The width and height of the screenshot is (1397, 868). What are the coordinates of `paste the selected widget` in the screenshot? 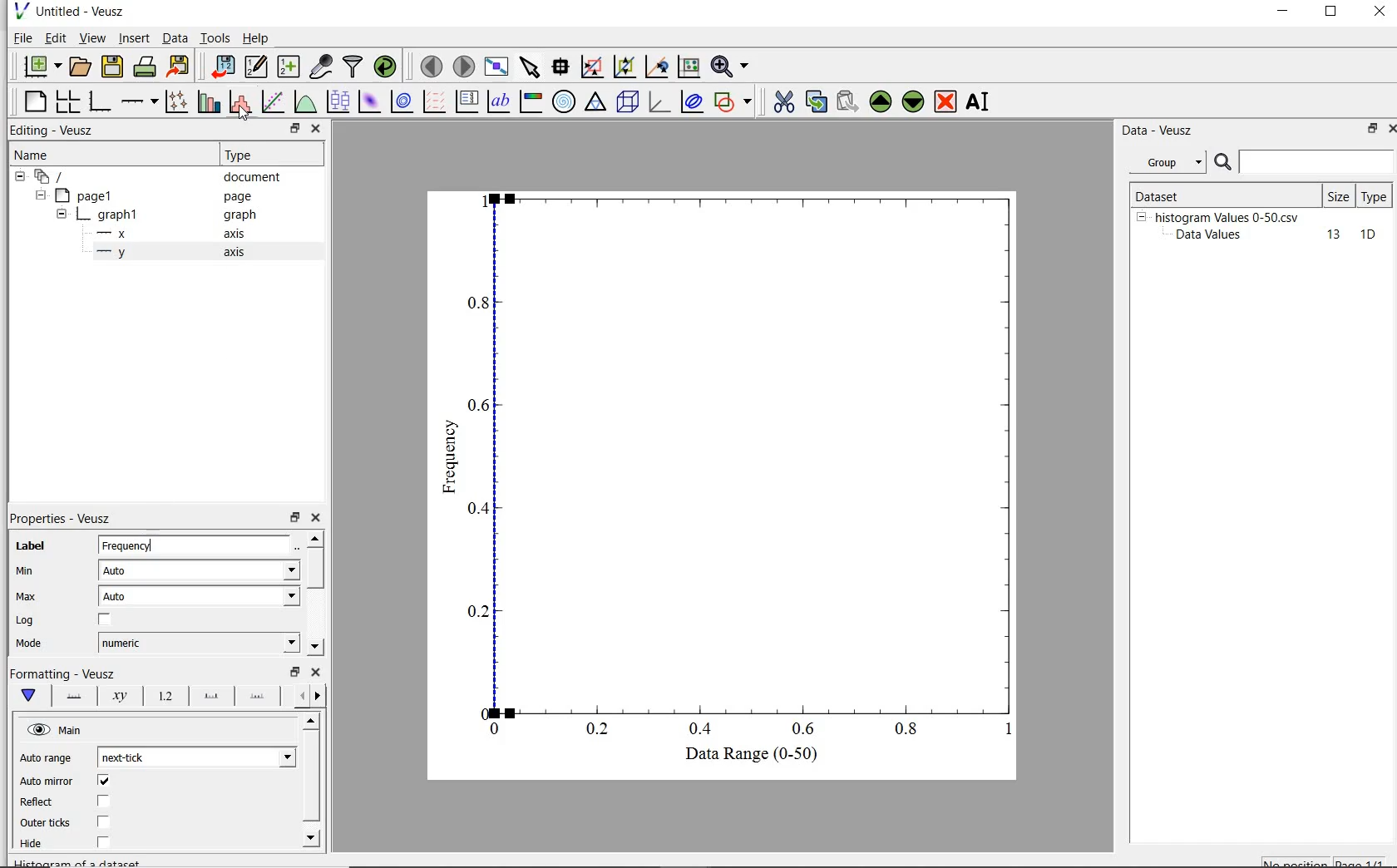 It's located at (847, 103).